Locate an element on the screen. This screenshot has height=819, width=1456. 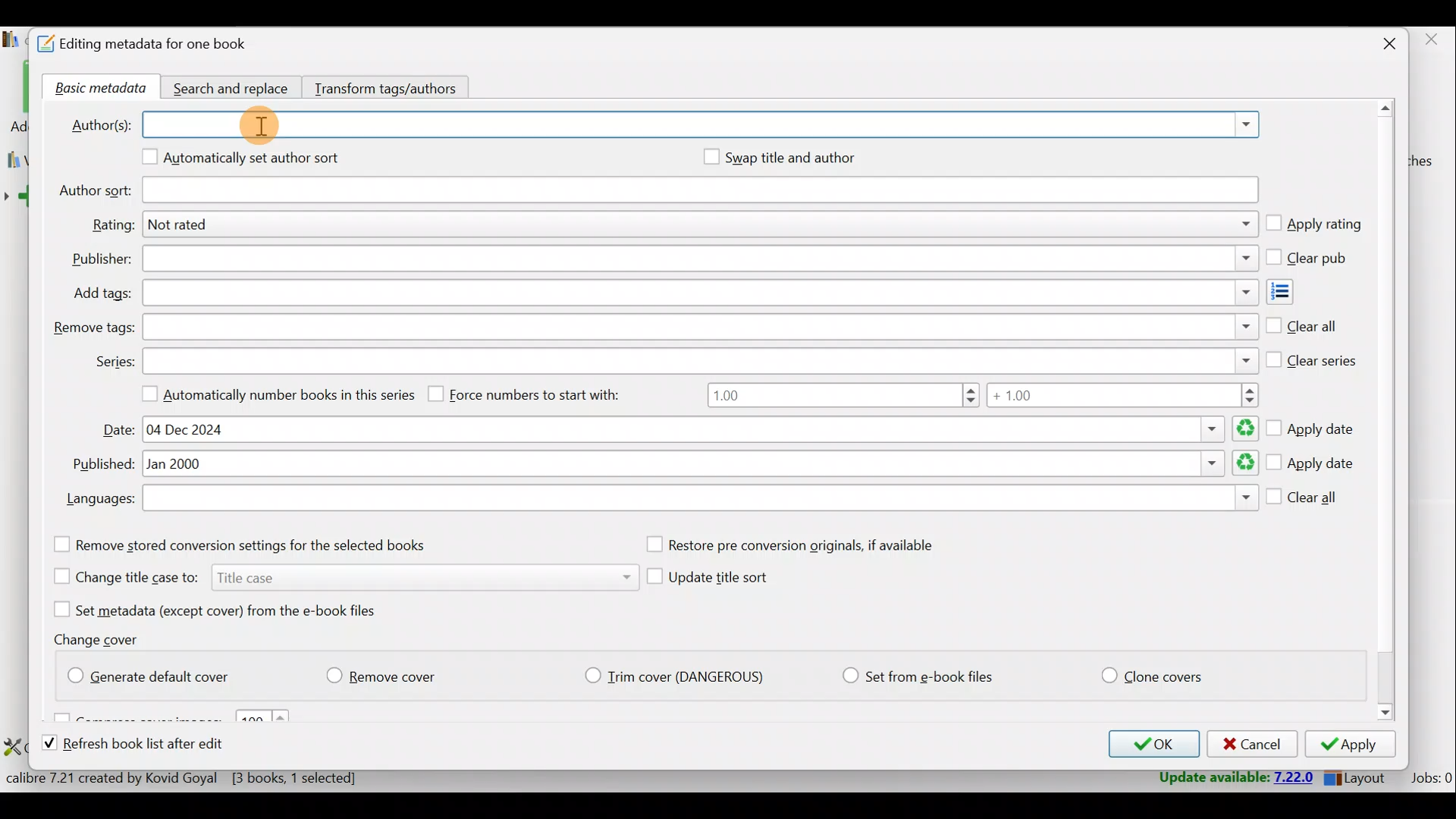
Rating is located at coordinates (703, 227).